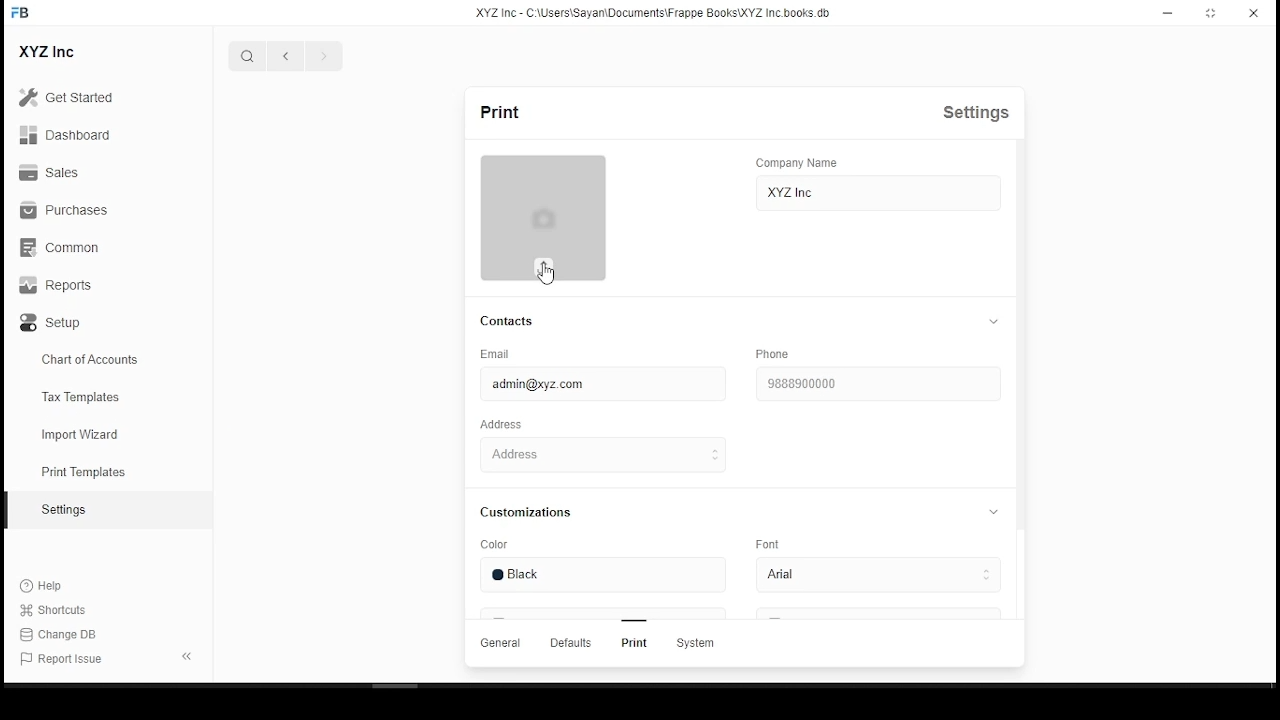 The height and width of the screenshot is (720, 1280). I want to click on Dashboard, so click(68, 137).